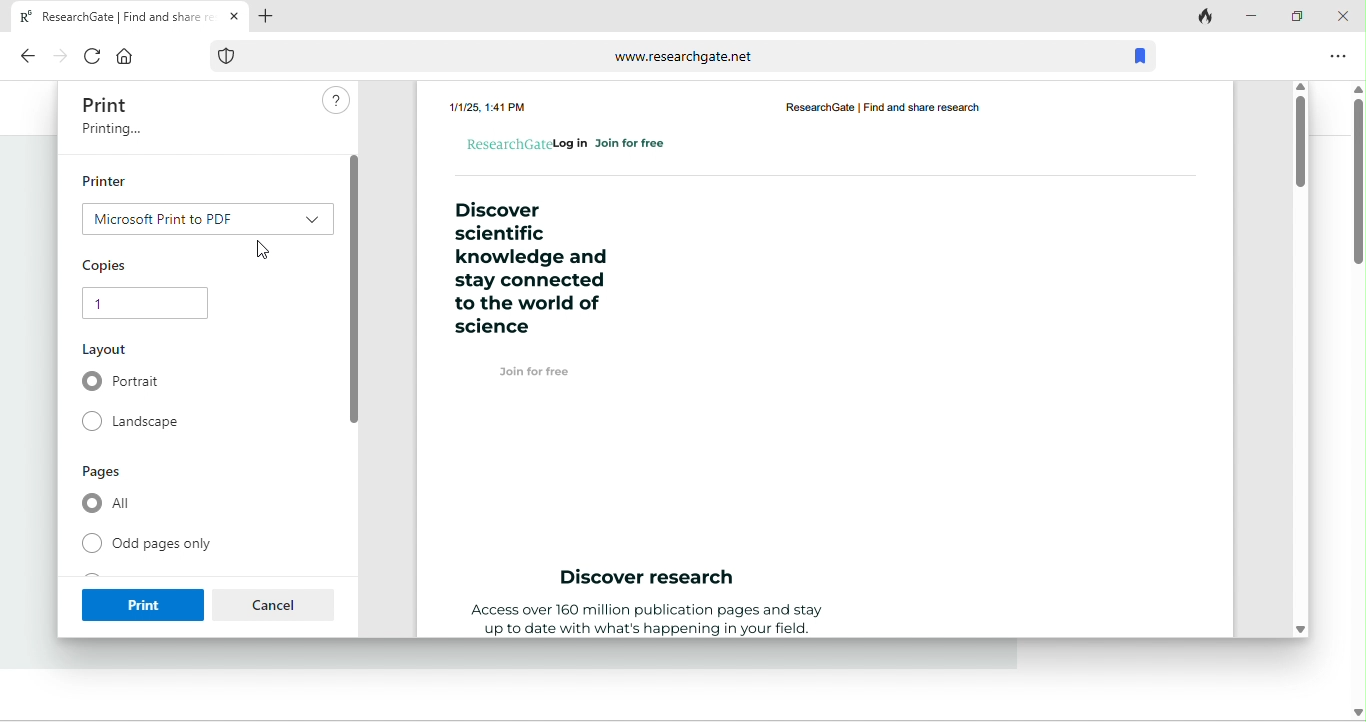 The image size is (1366, 722). Describe the element at coordinates (142, 304) in the screenshot. I see `1` at that location.